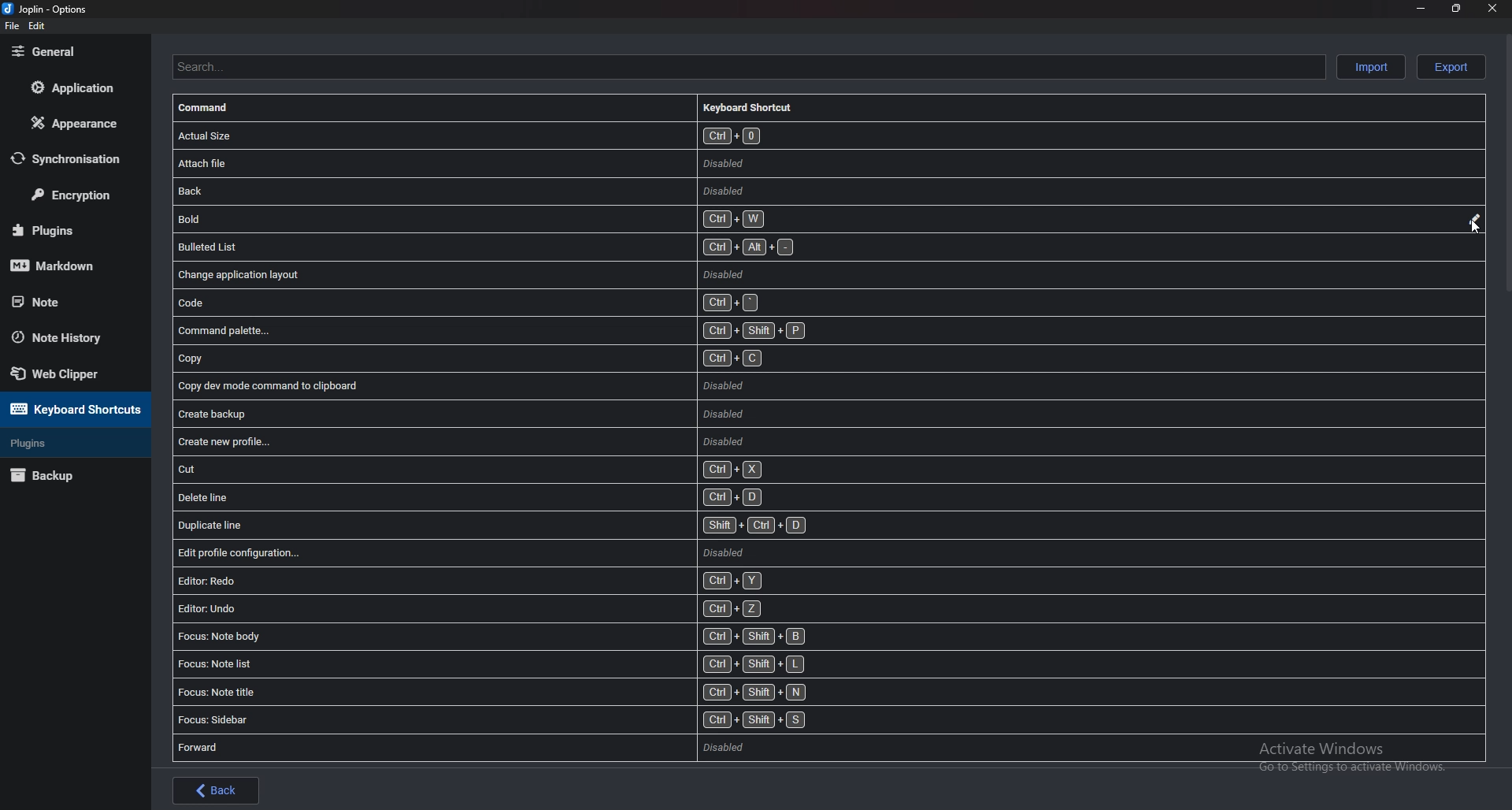 Image resolution: width=1512 pixels, height=810 pixels. I want to click on edit, so click(36, 26).